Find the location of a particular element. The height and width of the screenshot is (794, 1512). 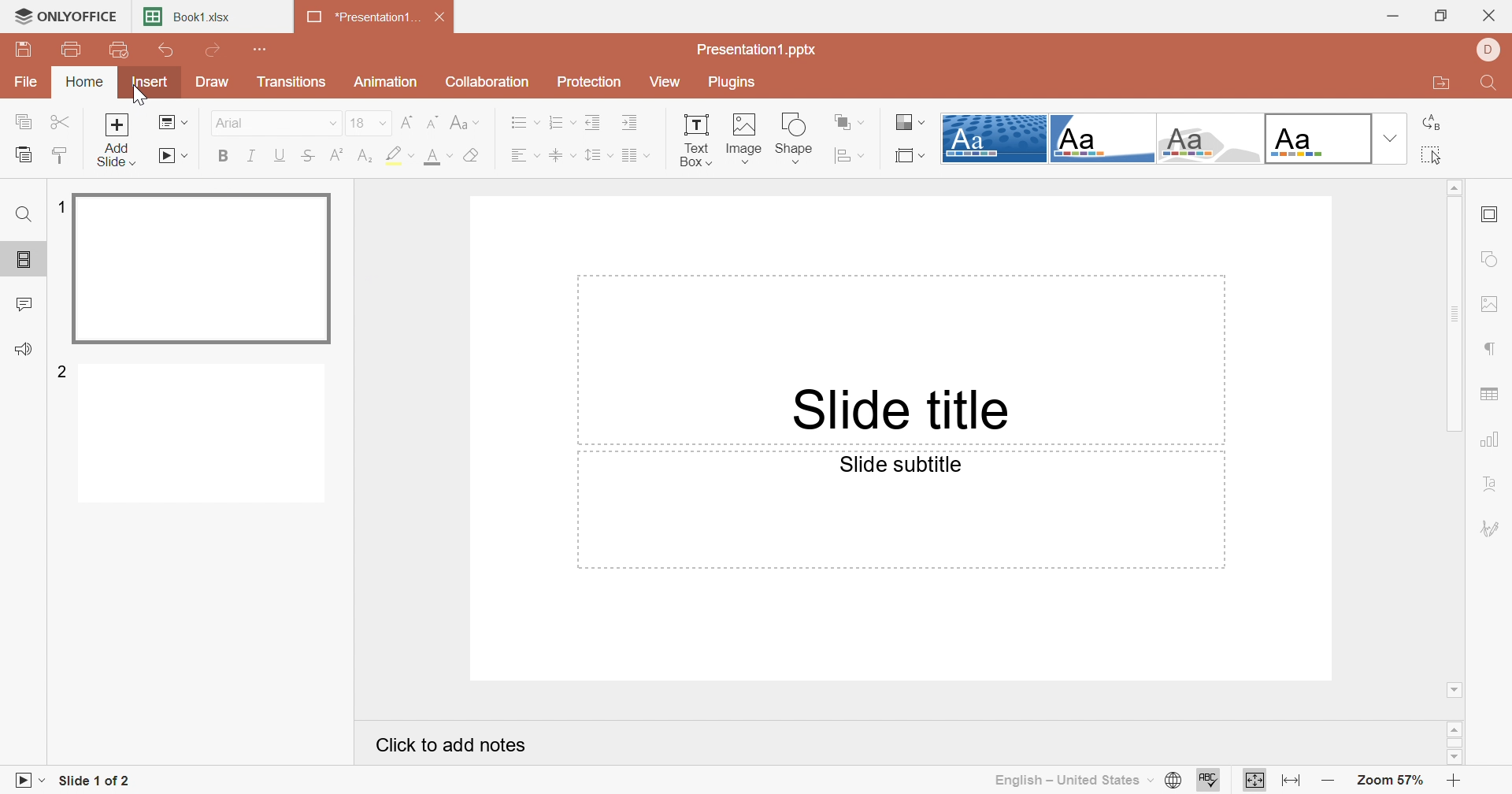

Corner is located at coordinates (1103, 139).